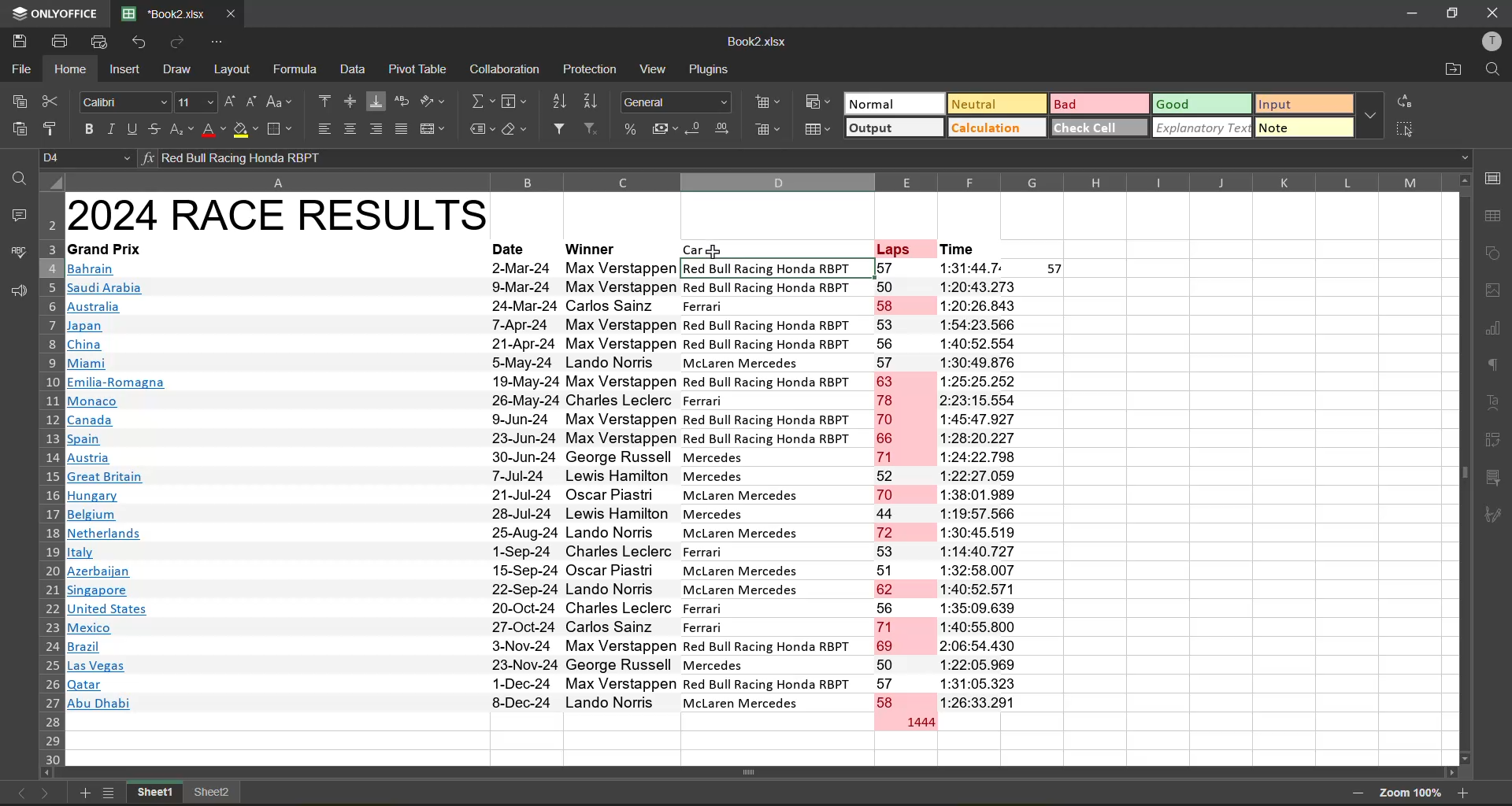 The width and height of the screenshot is (1512, 806). Describe the element at coordinates (282, 215) in the screenshot. I see `Heading` at that location.